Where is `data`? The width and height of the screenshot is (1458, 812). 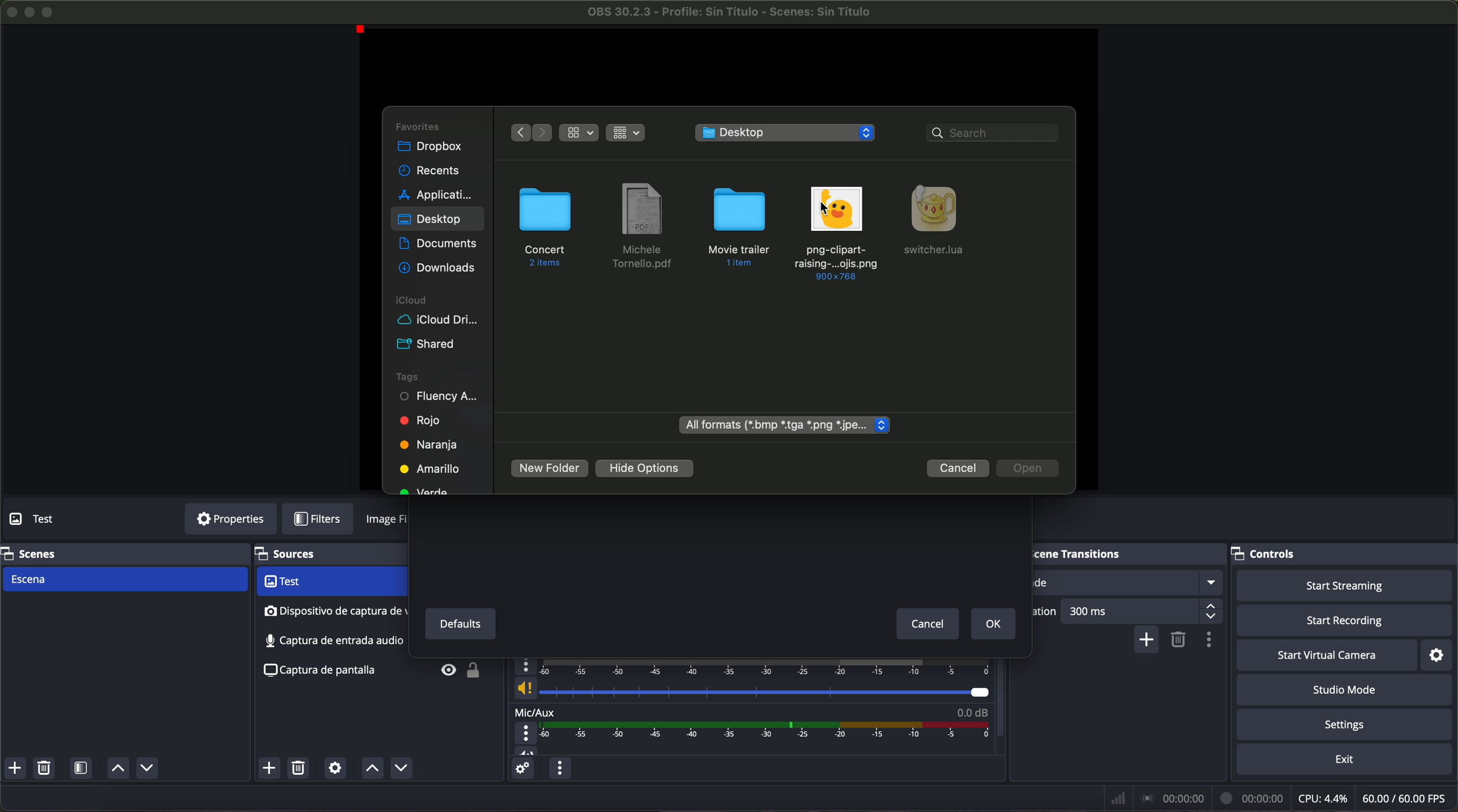 data is located at coordinates (1281, 798).